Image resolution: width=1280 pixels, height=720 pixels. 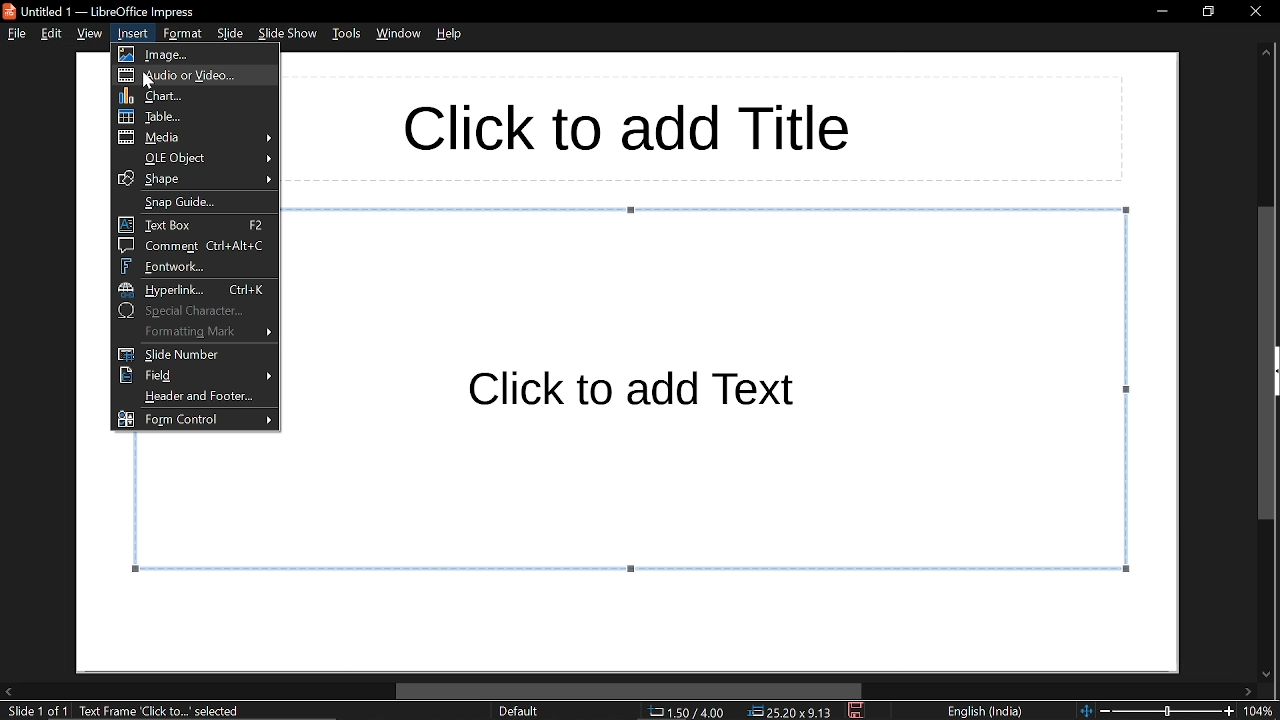 I want to click on current zoom, so click(x=1262, y=711).